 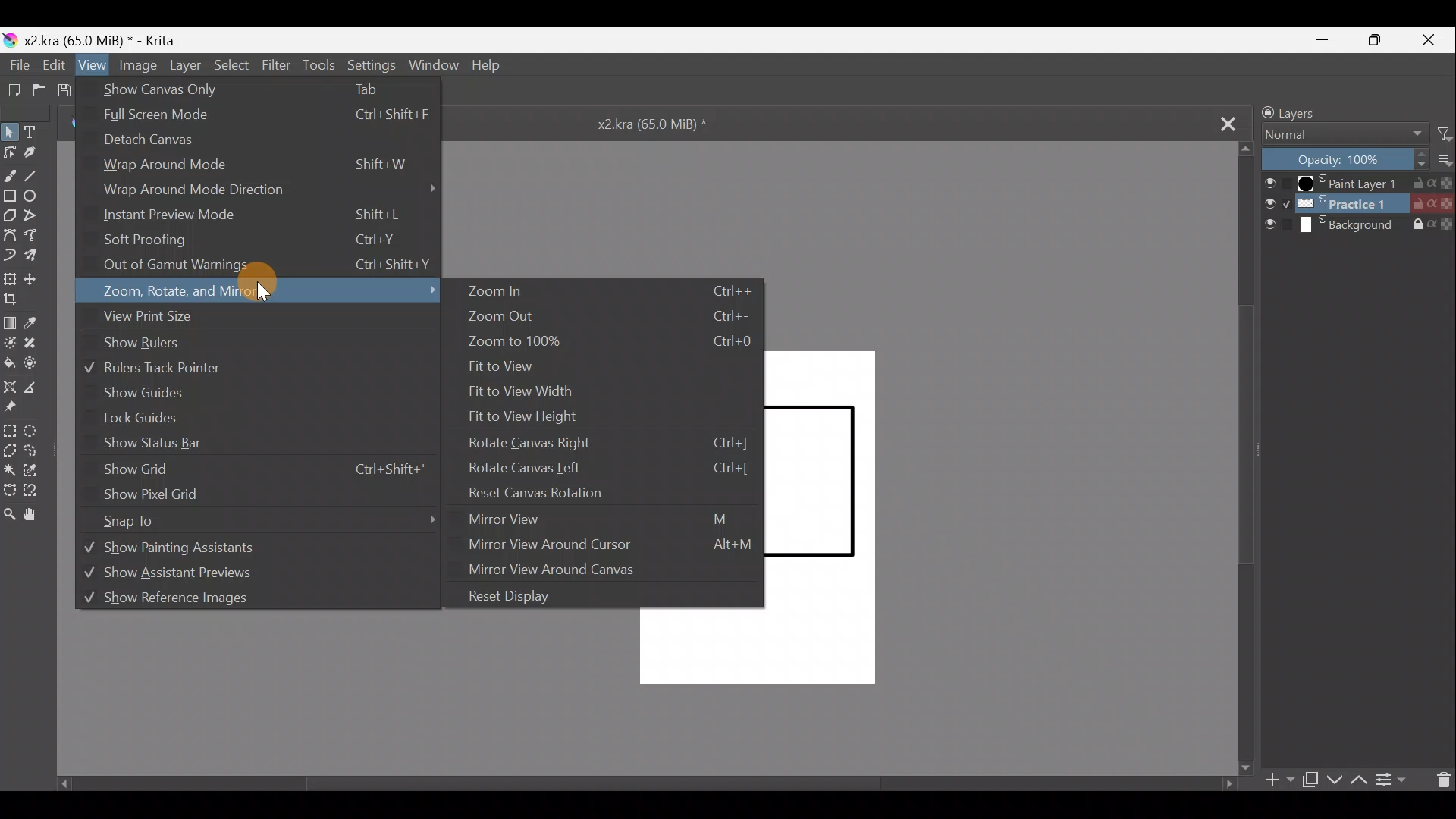 What do you see at coordinates (516, 595) in the screenshot?
I see `Reset display` at bounding box center [516, 595].